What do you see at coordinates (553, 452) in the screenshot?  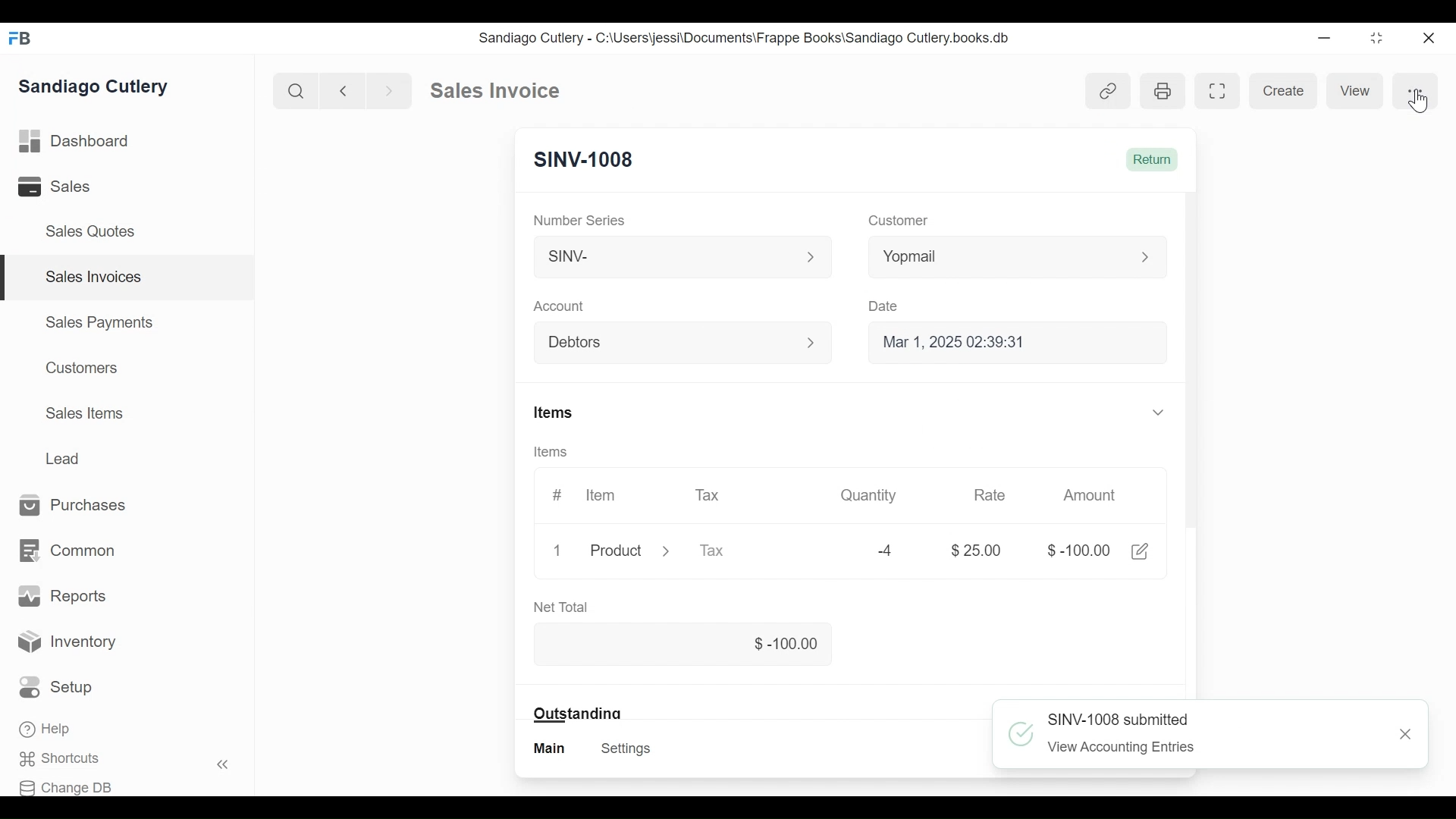 I see `Items` at bounding box center [553, 452].